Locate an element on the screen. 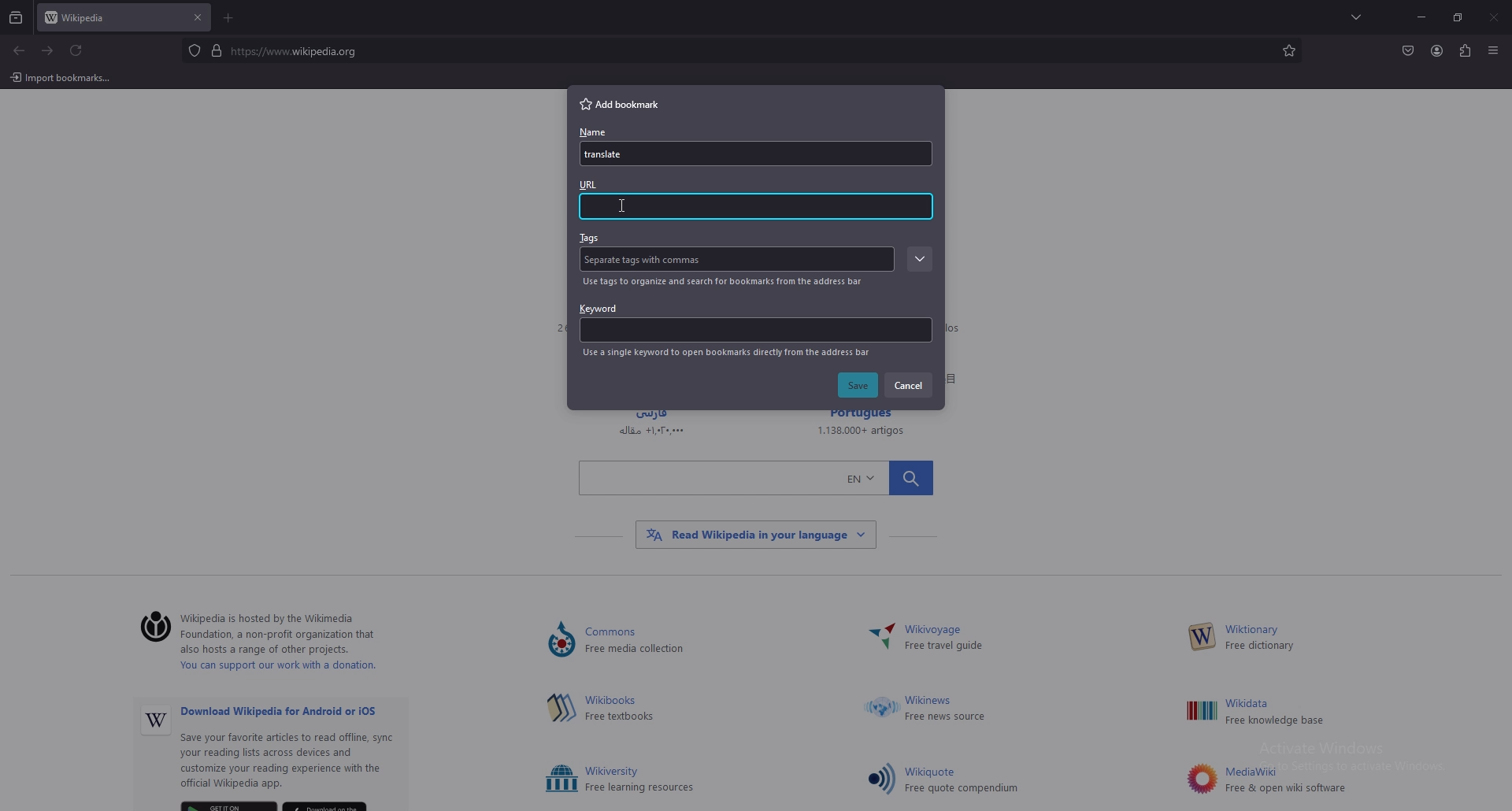  profile is located at coordinates (1437, 51).